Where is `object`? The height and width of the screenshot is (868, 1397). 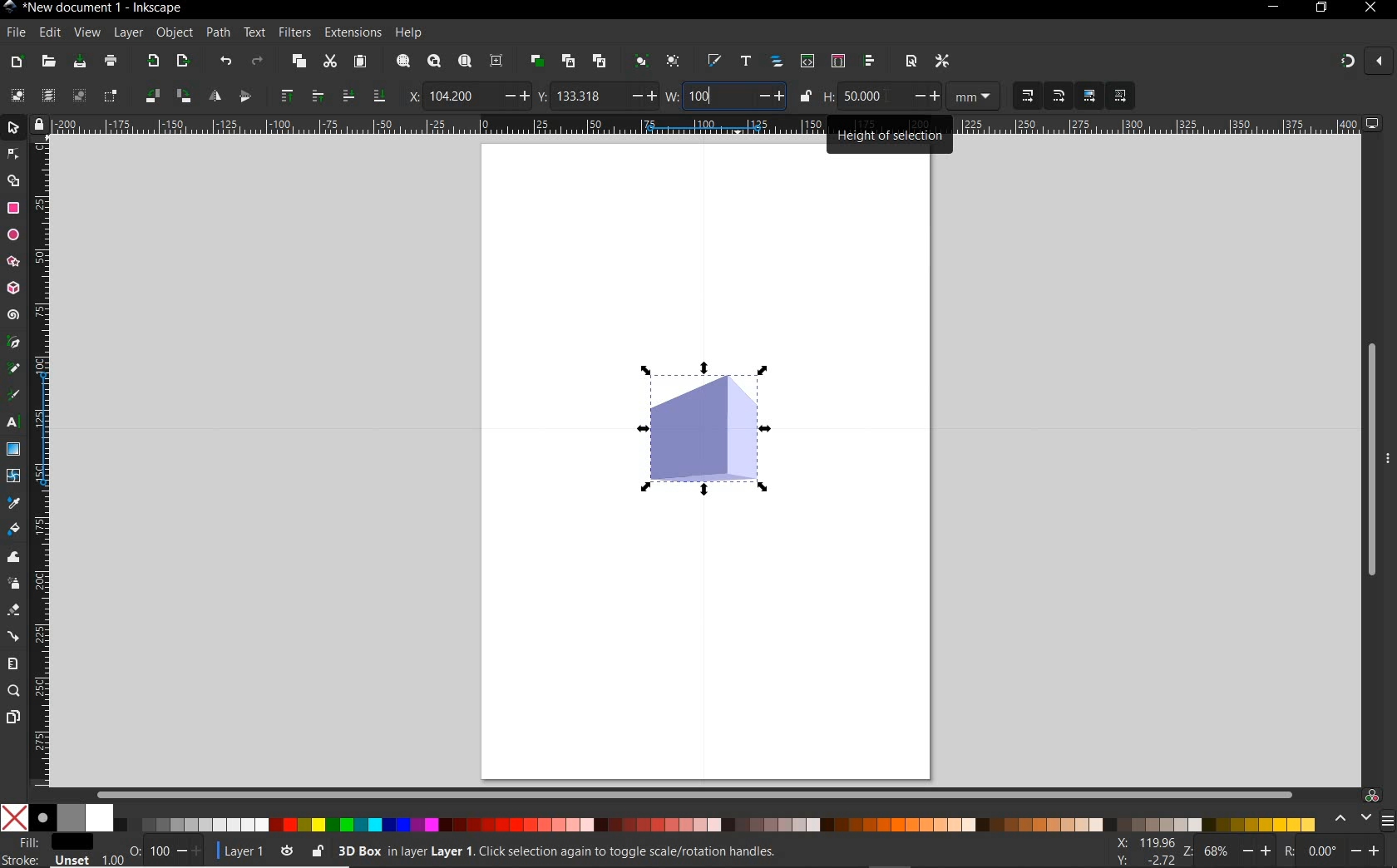 object is located at coordinates (174, 33).